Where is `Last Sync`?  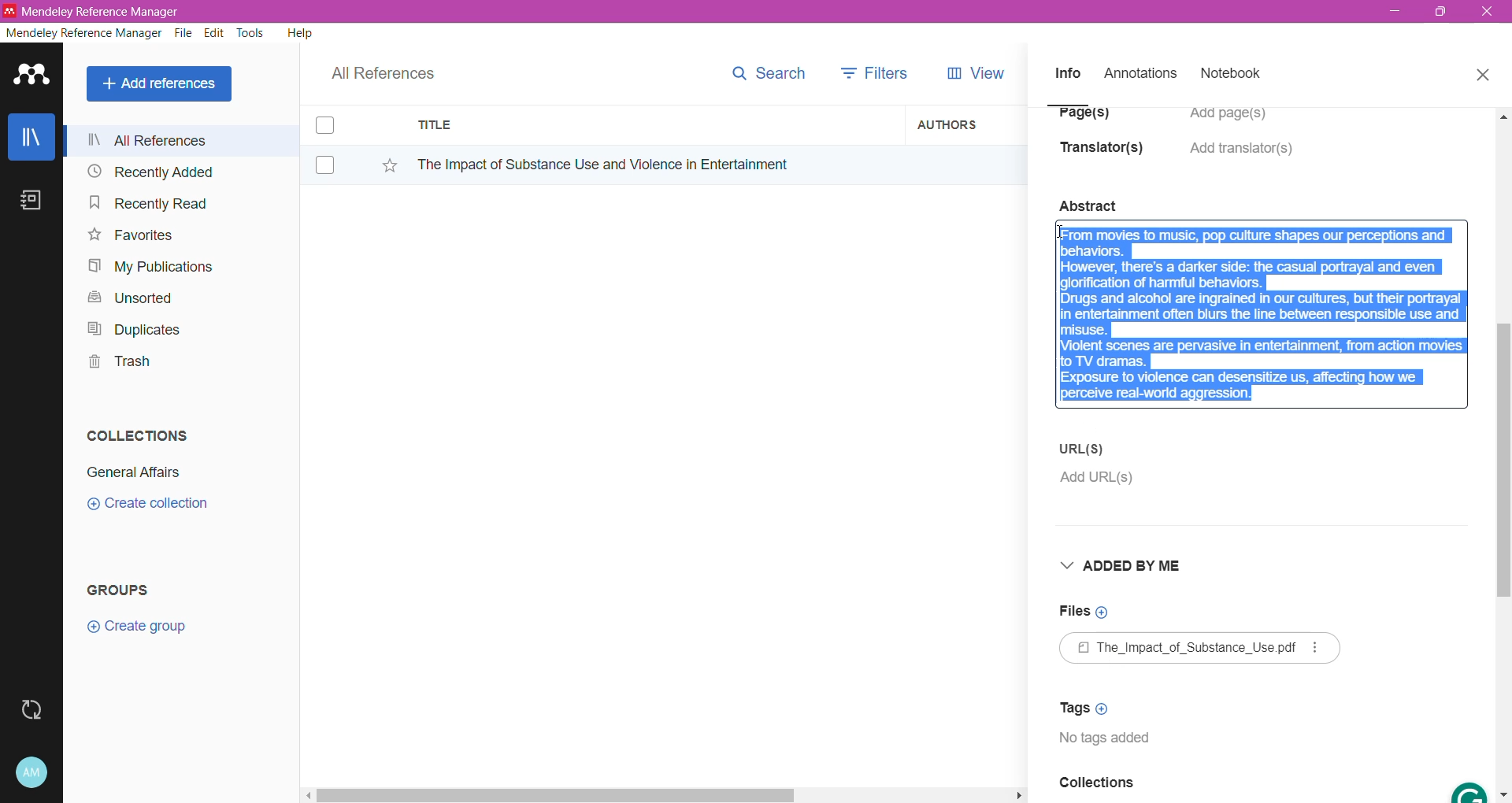 Last Sync is located at coordinates (38, 708).